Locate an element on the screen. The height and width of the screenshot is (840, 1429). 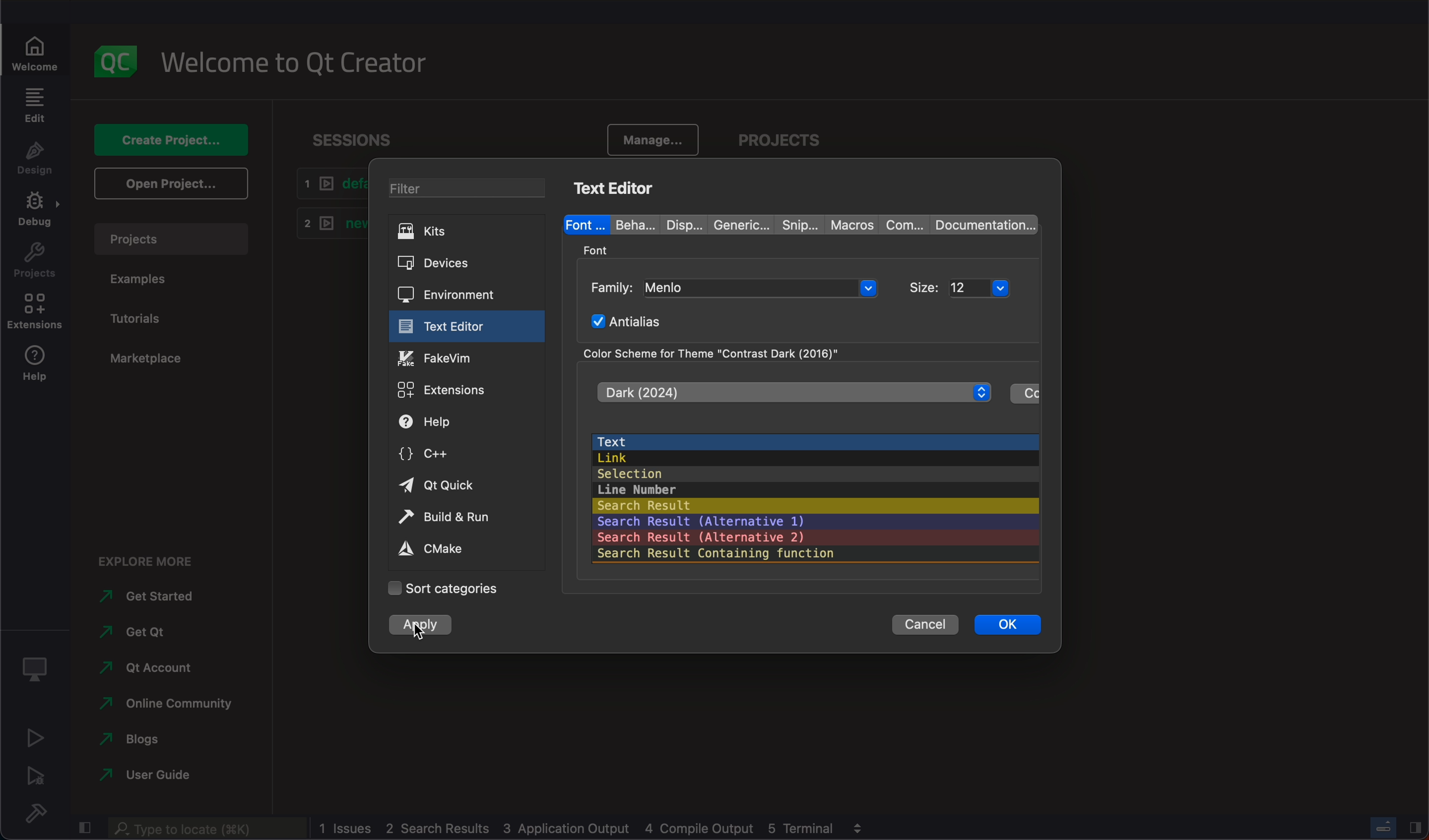
dark 2024 is located at coordinates (793, 392).